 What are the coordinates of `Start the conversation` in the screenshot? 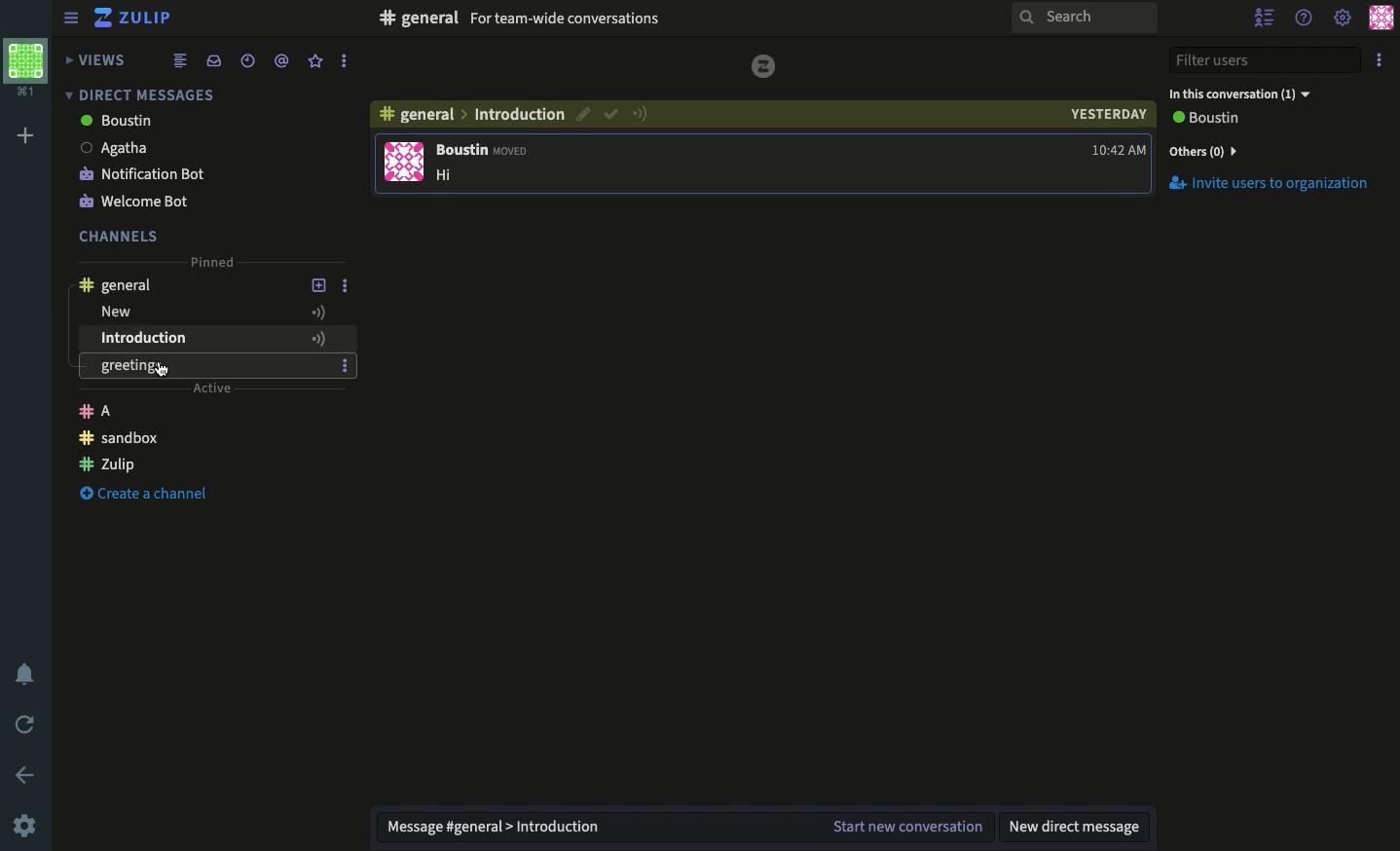 It's located at (904, 828).